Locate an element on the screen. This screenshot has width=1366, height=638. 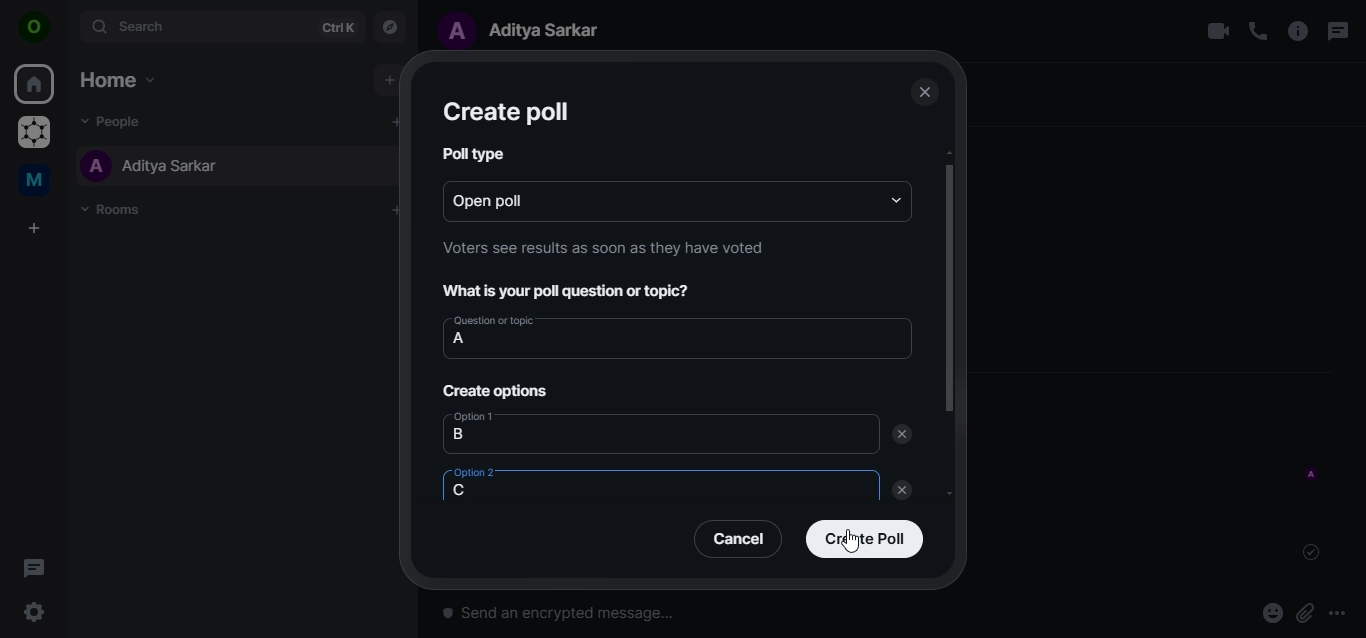
threads is located at coordinates (1336, 31).